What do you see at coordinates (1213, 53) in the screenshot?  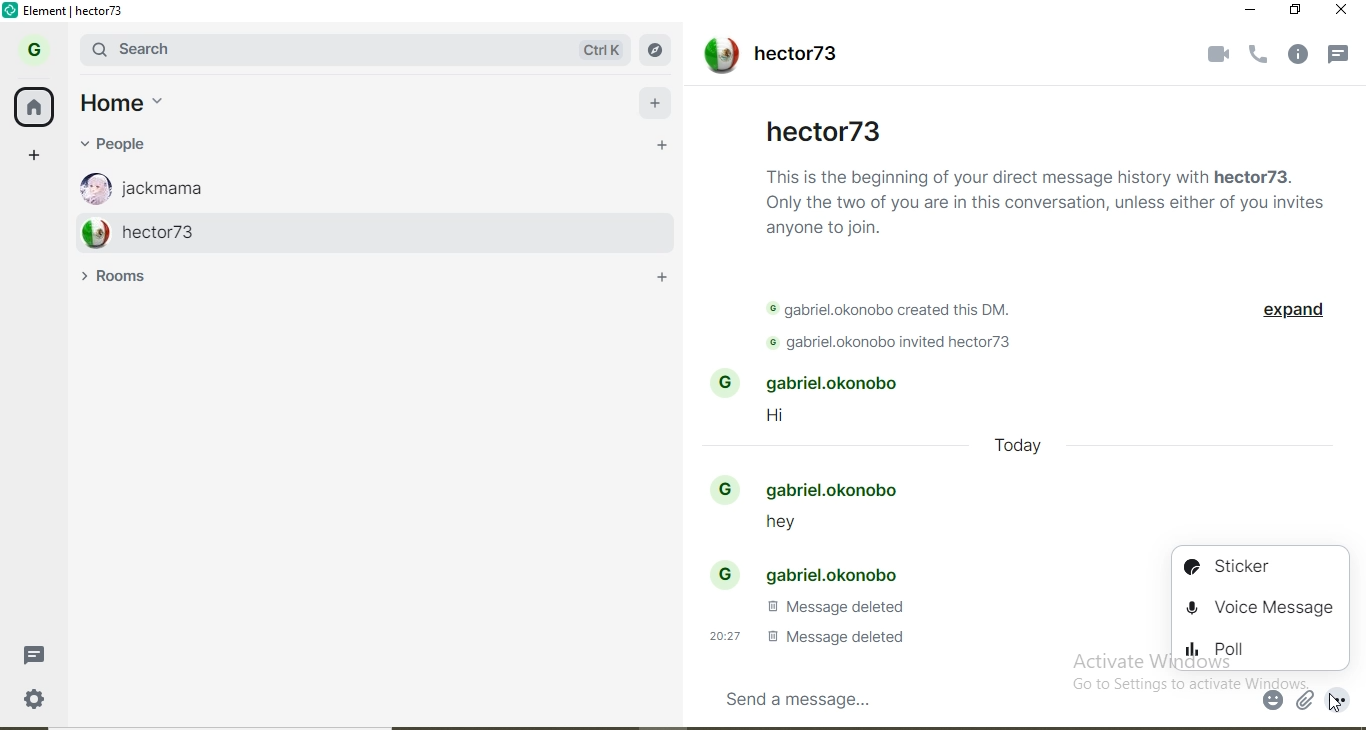 I see `video call` at bounding box center [1213, 53].